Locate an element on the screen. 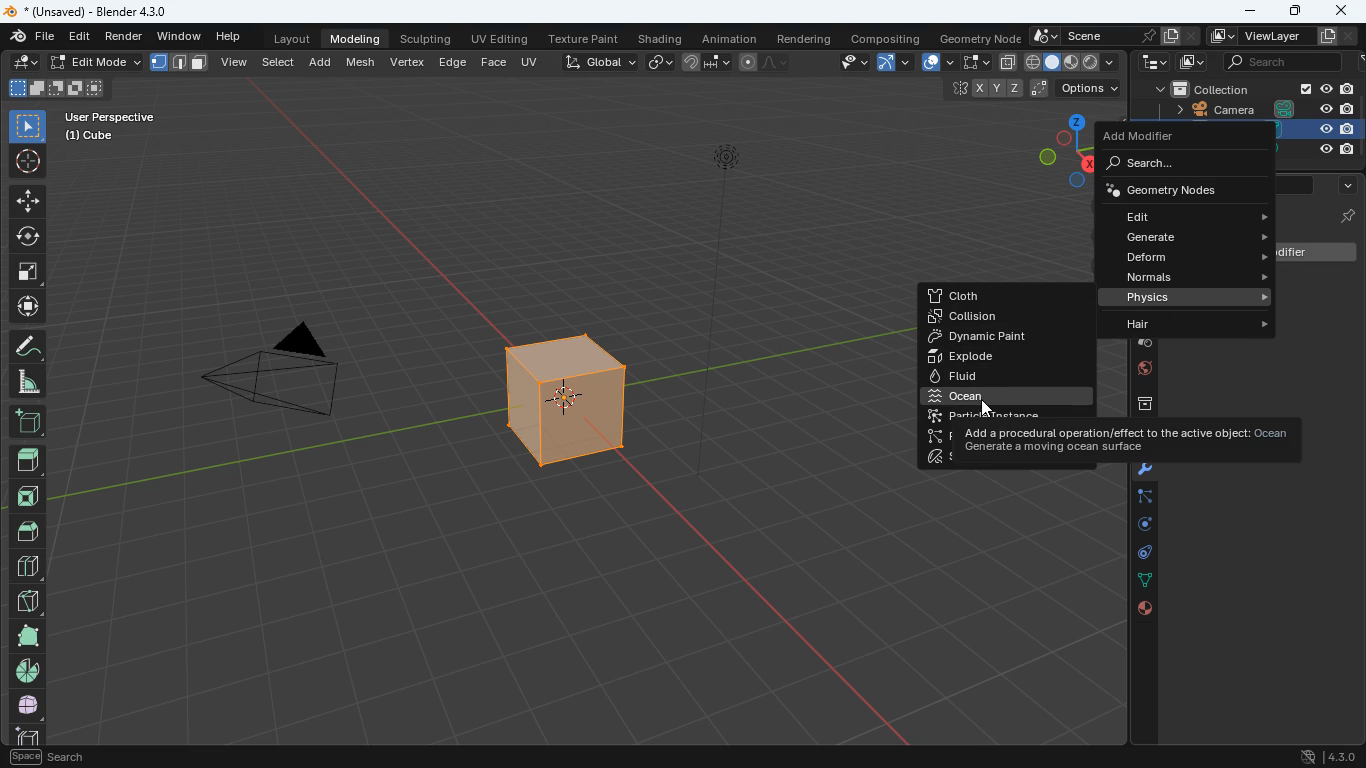  edge is located at coordinates (1136, 498).